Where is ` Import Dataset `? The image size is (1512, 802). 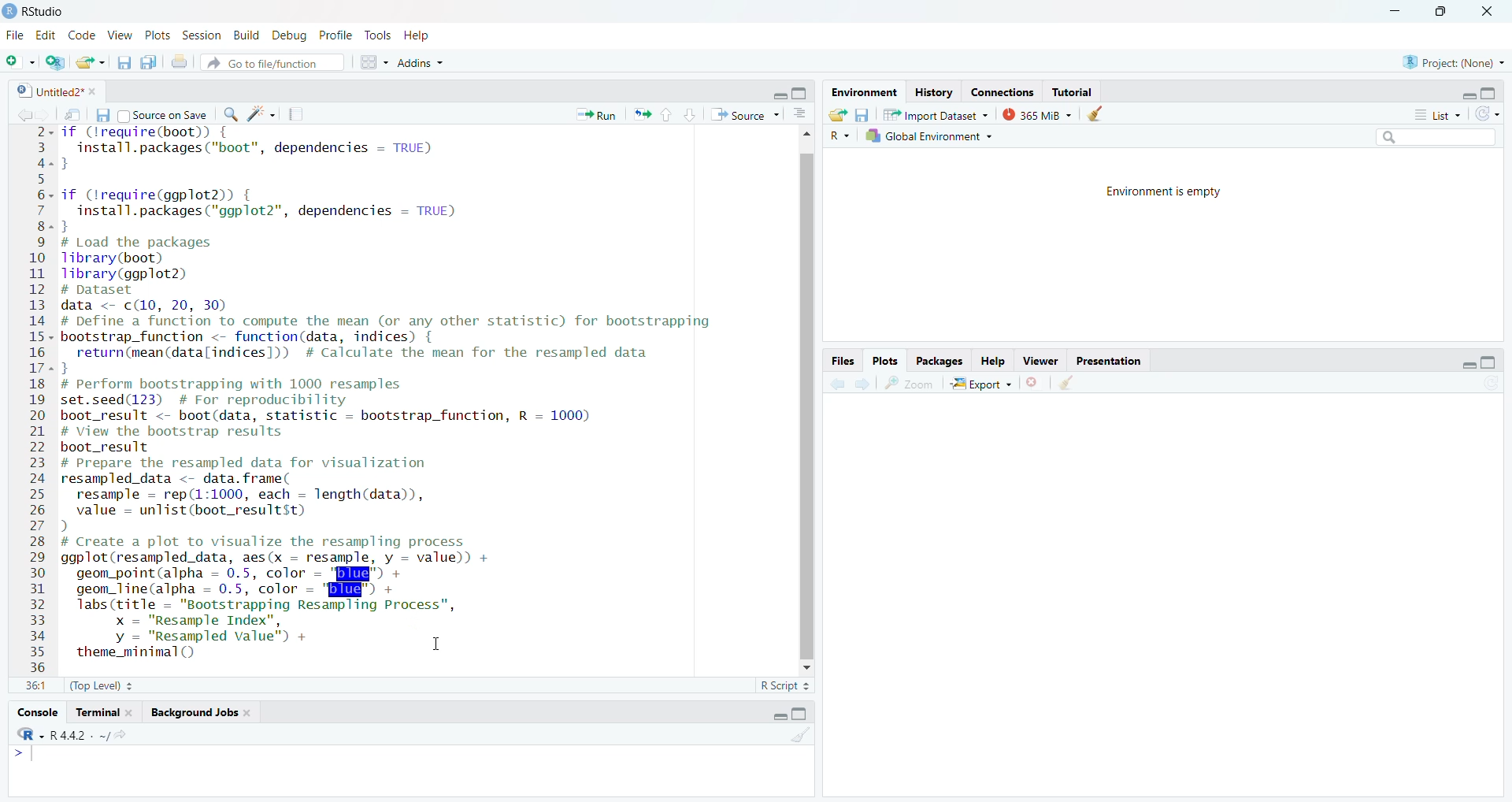
 Import Dataset  is located at coordinates (936, 113).